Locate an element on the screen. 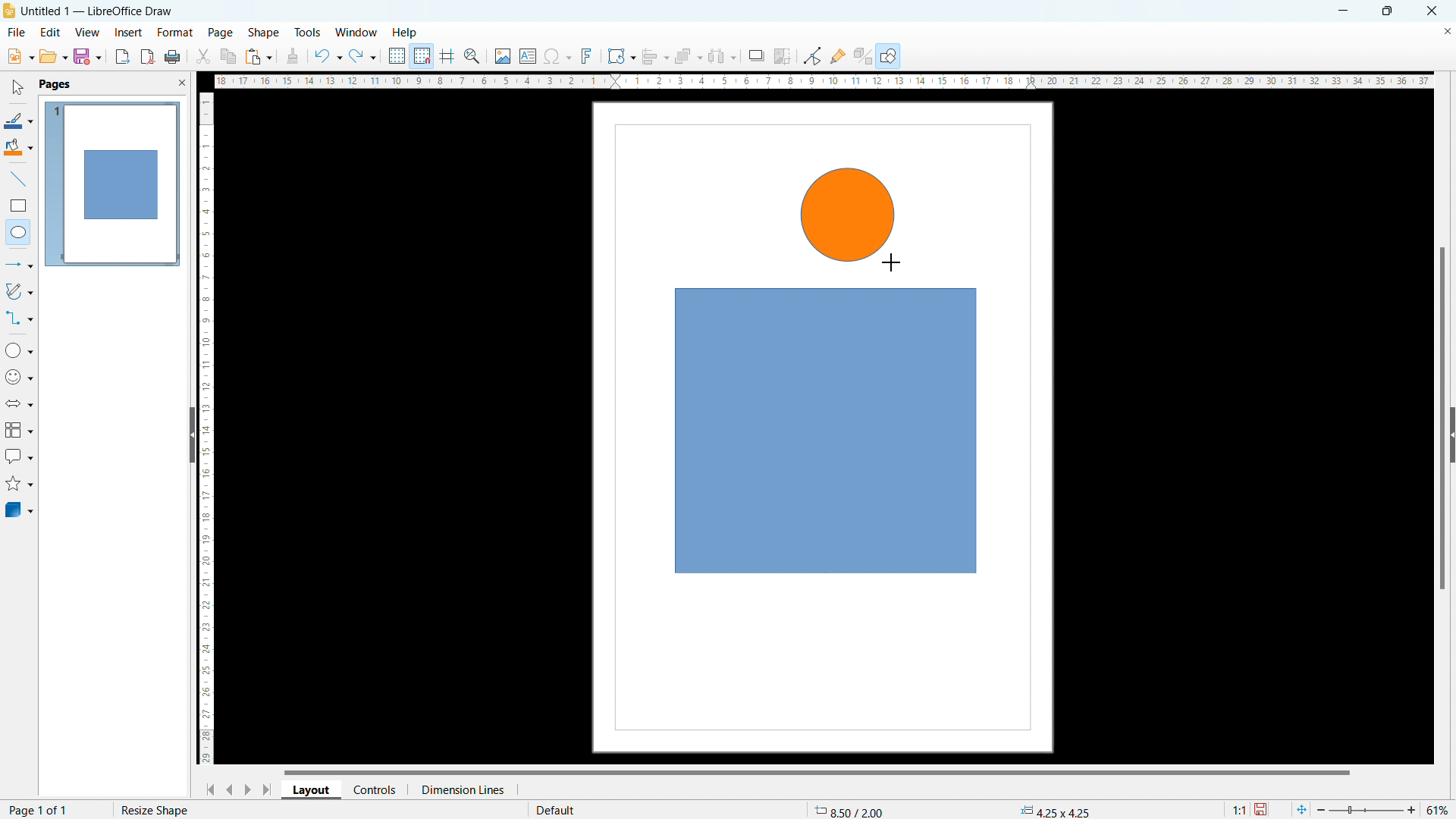  save is located at coordinates (87, 56).